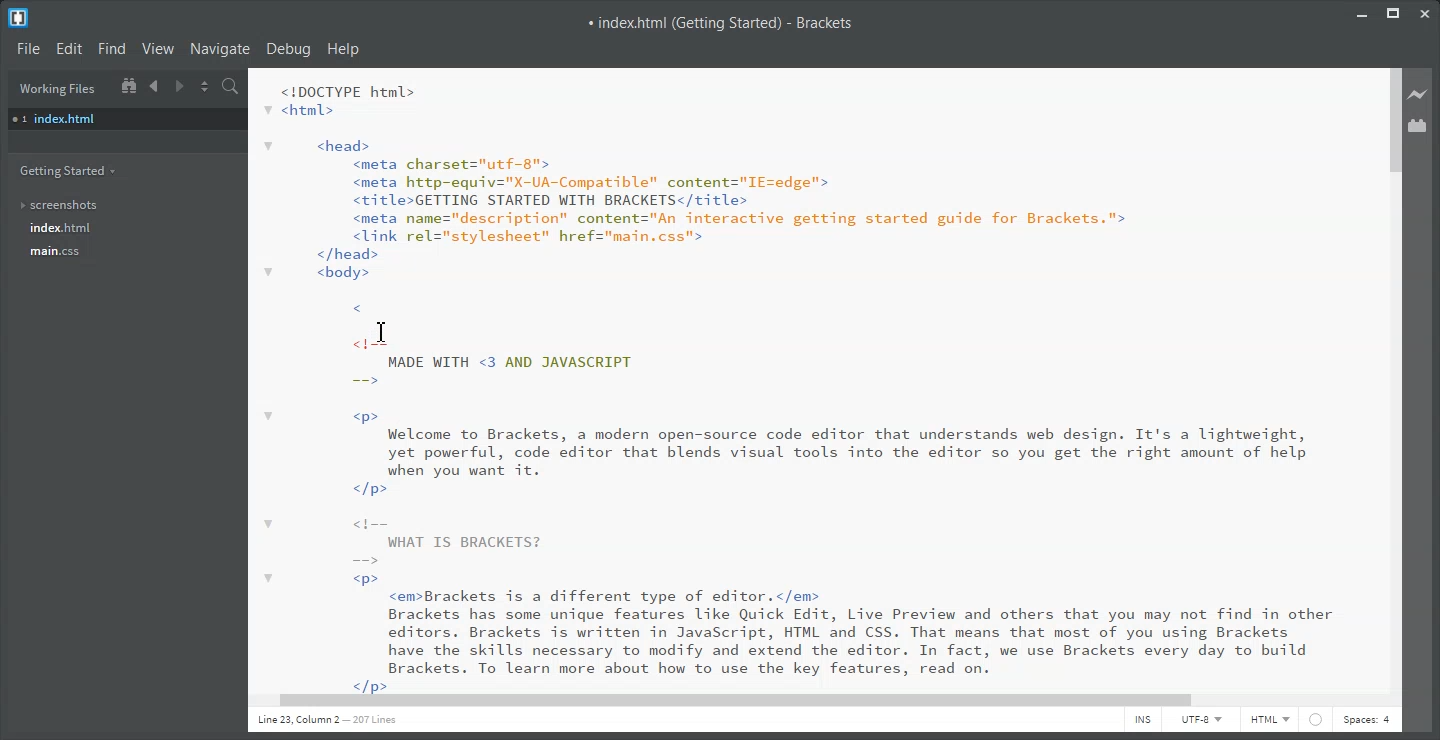 The height and width of the screenshot is (740, 1440). What do you see at coordinates (27, 48) in the screenshot?
I see `File` at bounding box center [27, 48].